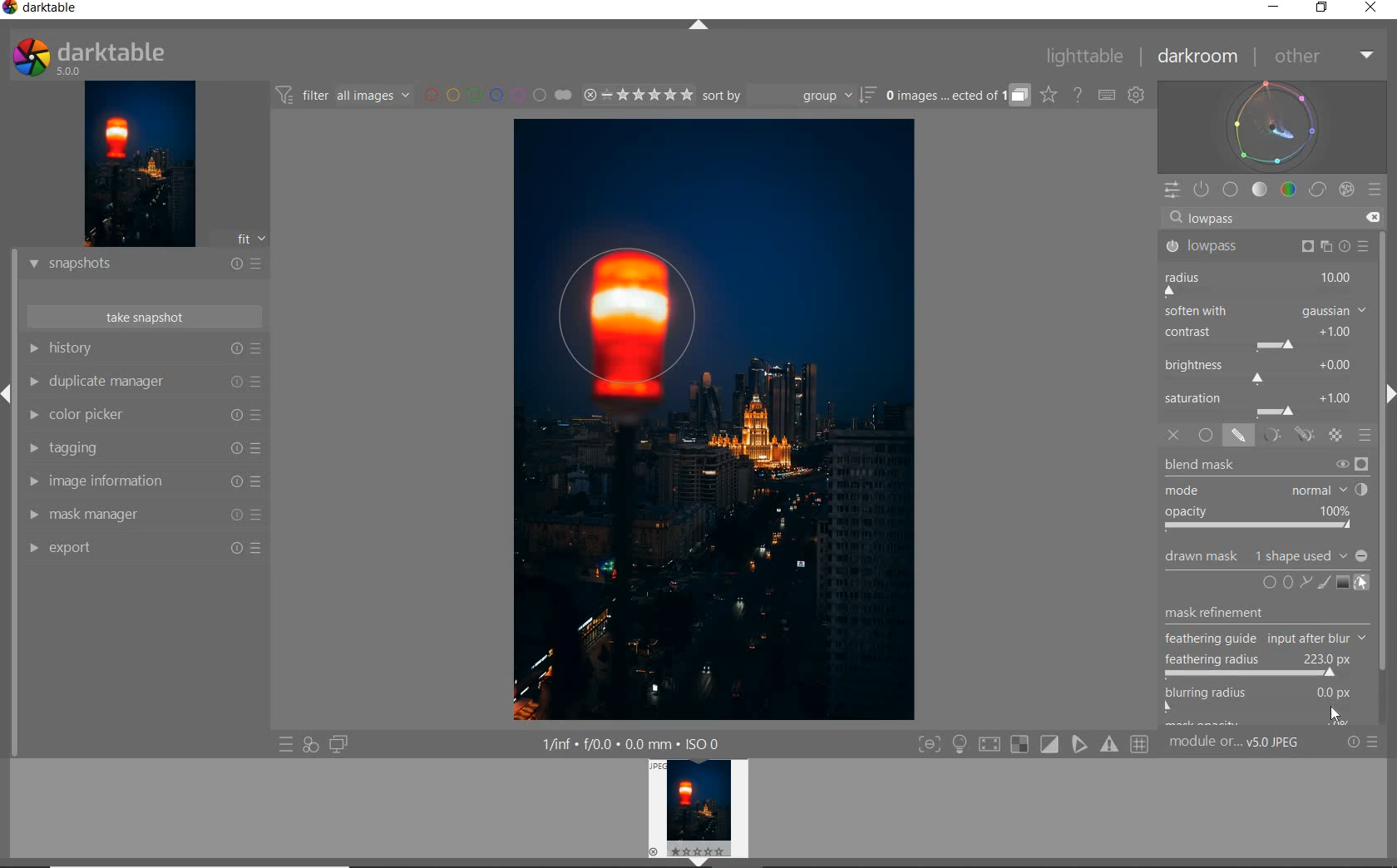 Image resolution: width=1397 pixels, height=868 pixels. I want to click on COLOR, so click(1288, 190).